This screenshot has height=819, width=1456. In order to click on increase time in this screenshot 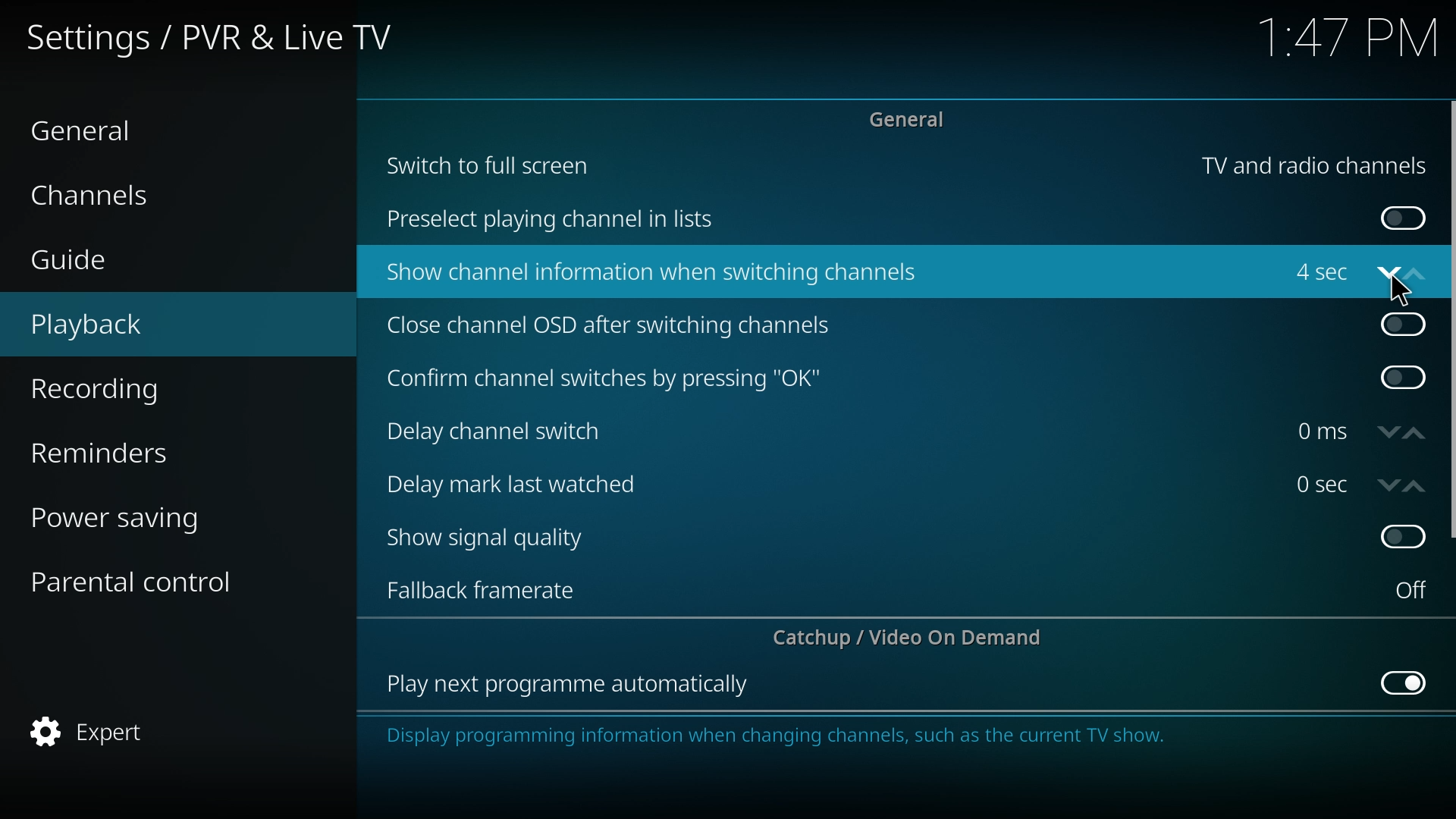, I will do `click(1415, 434)`.